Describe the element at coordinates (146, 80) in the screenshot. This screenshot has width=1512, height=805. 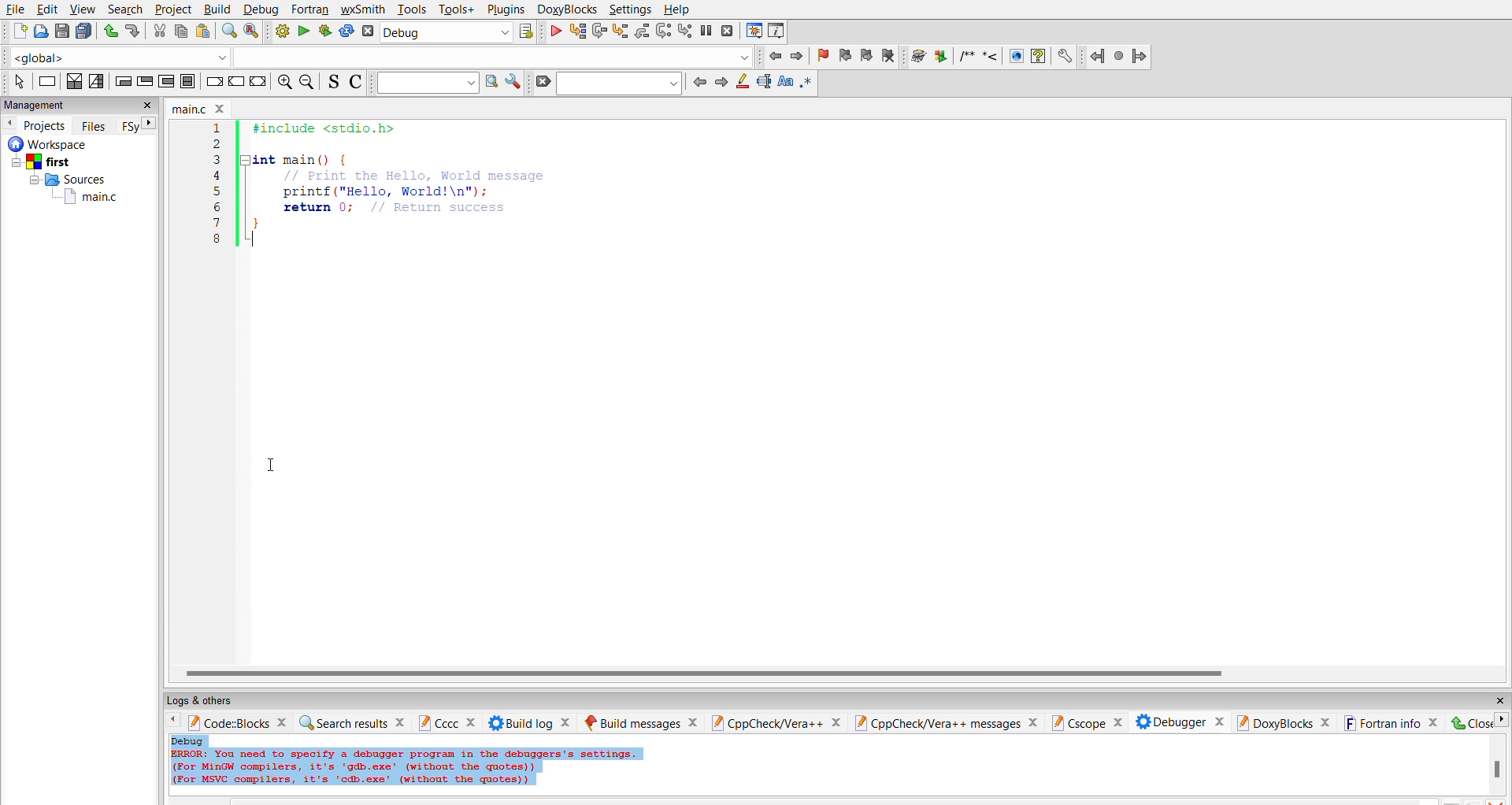
I see `exit condition loop` at that location.